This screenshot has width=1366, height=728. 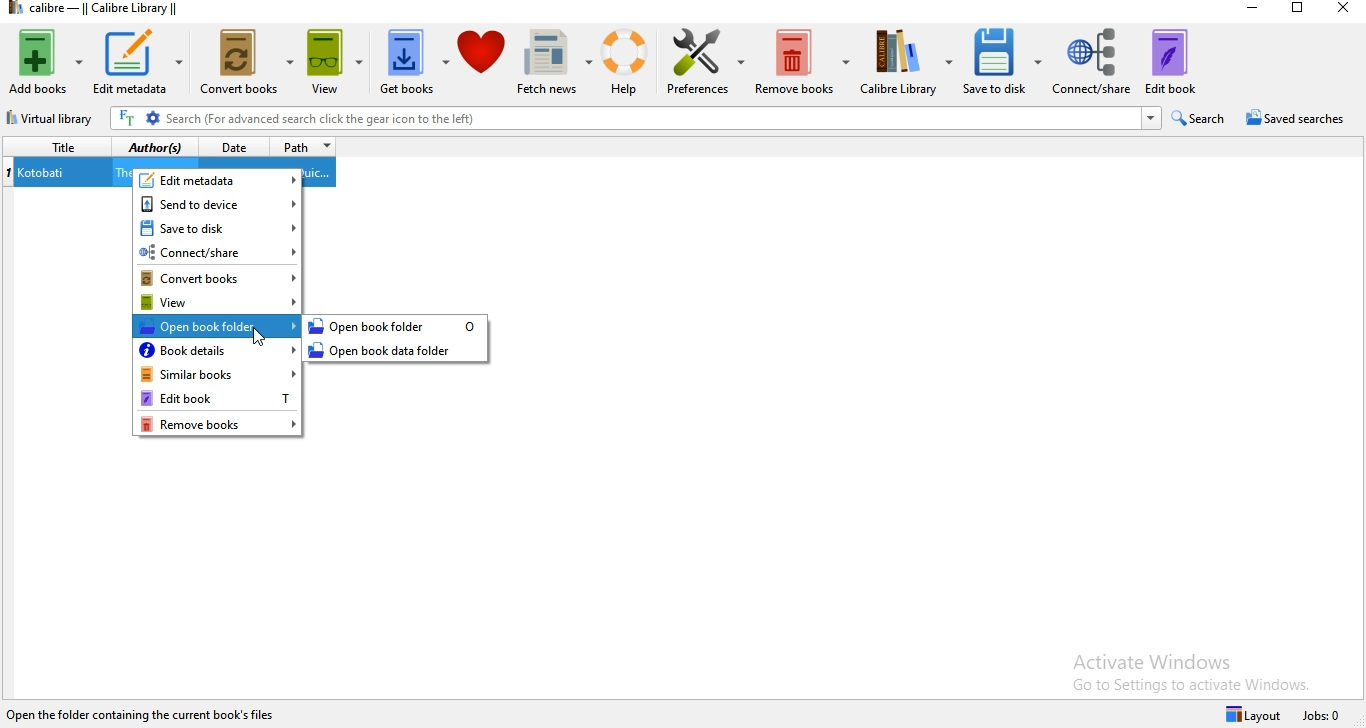 I want to click on path, so click(x=306, y=147).